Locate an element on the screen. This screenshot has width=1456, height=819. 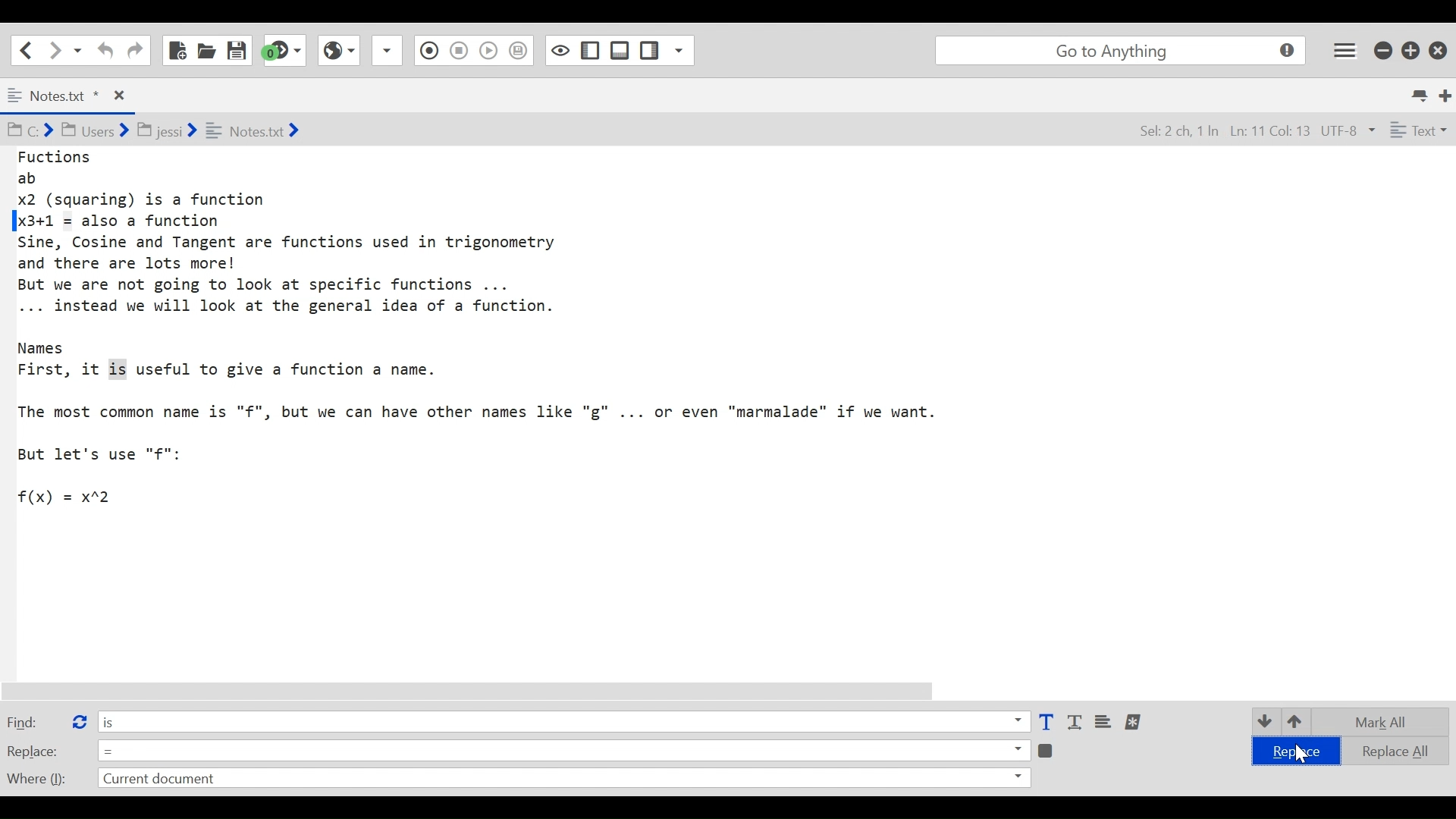
Find is located at coordinates (33, 721).